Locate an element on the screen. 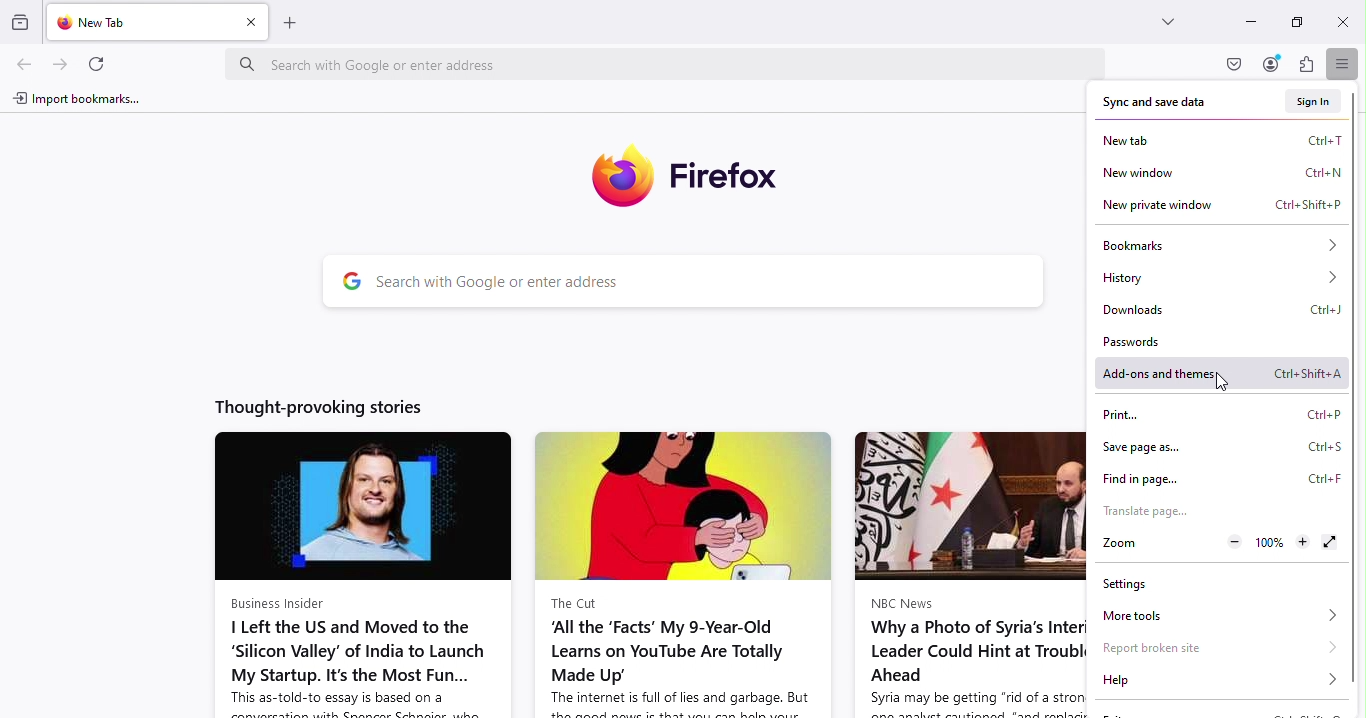 This screenshot has width=1366, height=718. Sync and save data is located at coordinates (1155, 100).